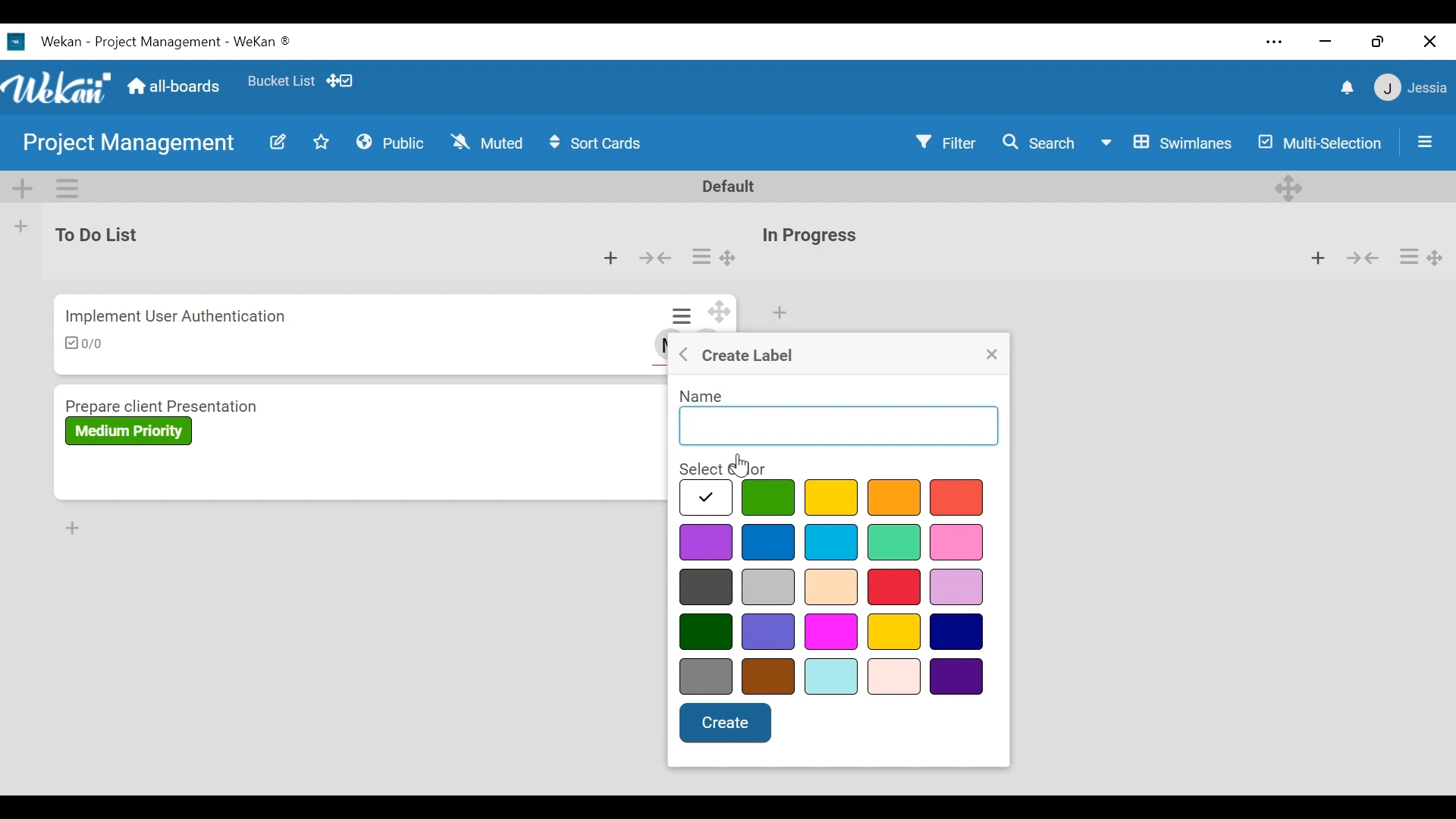 Image resolution: width=1456 pixels, height=819 pixels. What do you see at coordinates (749, 354) in the screenshot?
I see `Create label` at bounding box center [749, 354].